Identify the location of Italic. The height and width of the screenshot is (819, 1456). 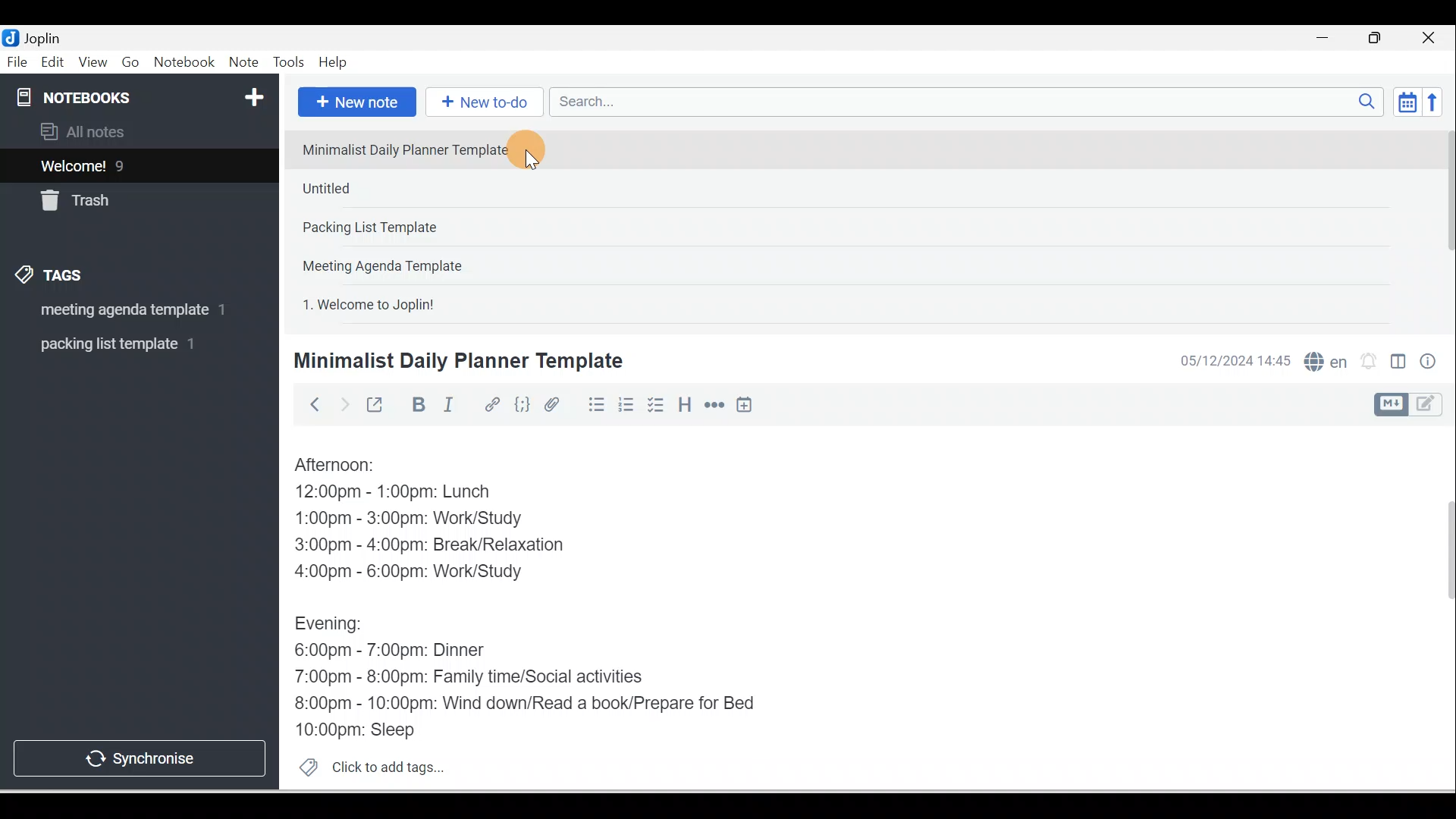
(451, 407).